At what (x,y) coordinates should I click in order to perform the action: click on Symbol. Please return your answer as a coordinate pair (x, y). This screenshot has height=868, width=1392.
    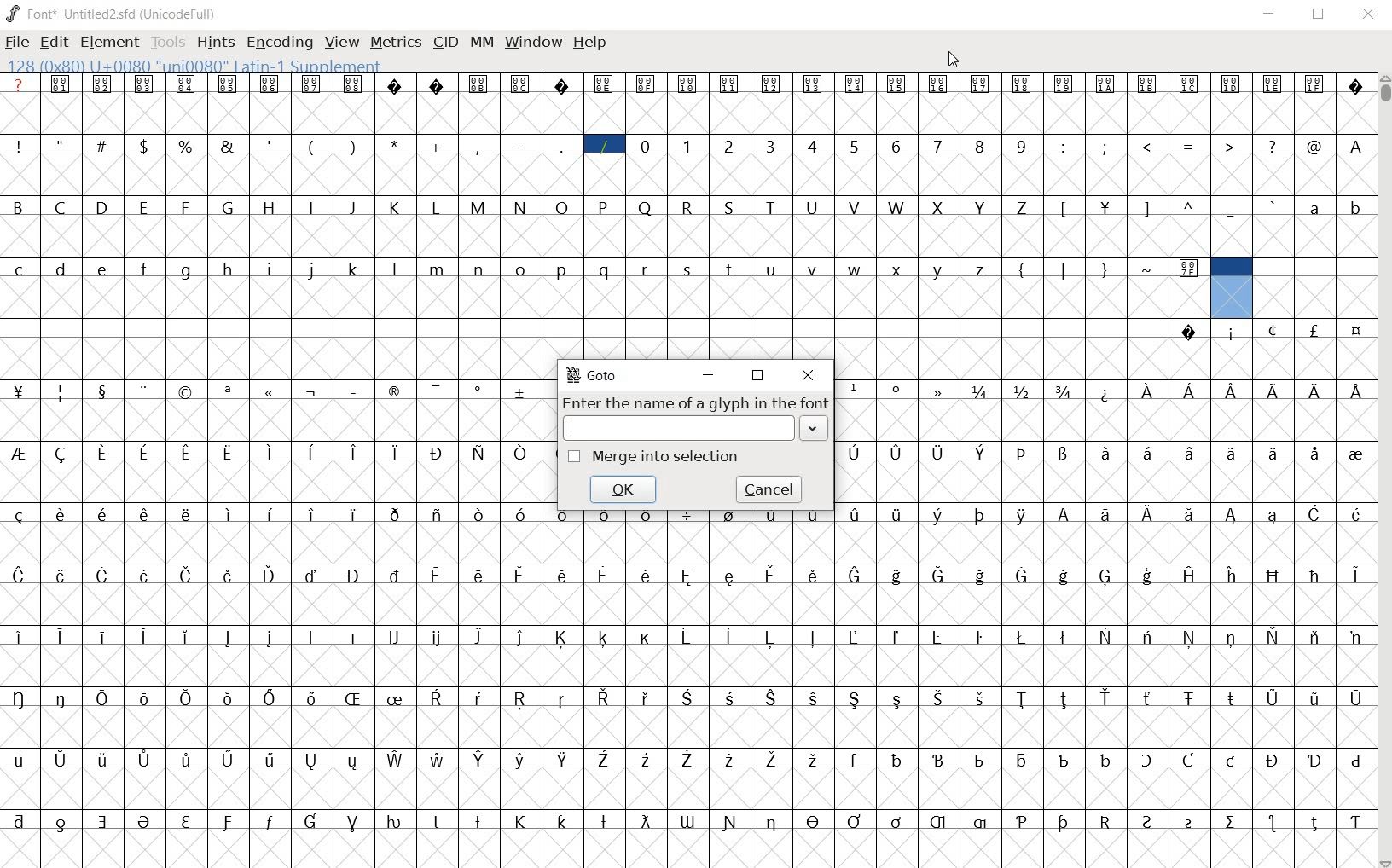
    Looking at the image, I should click on (1191, 85).